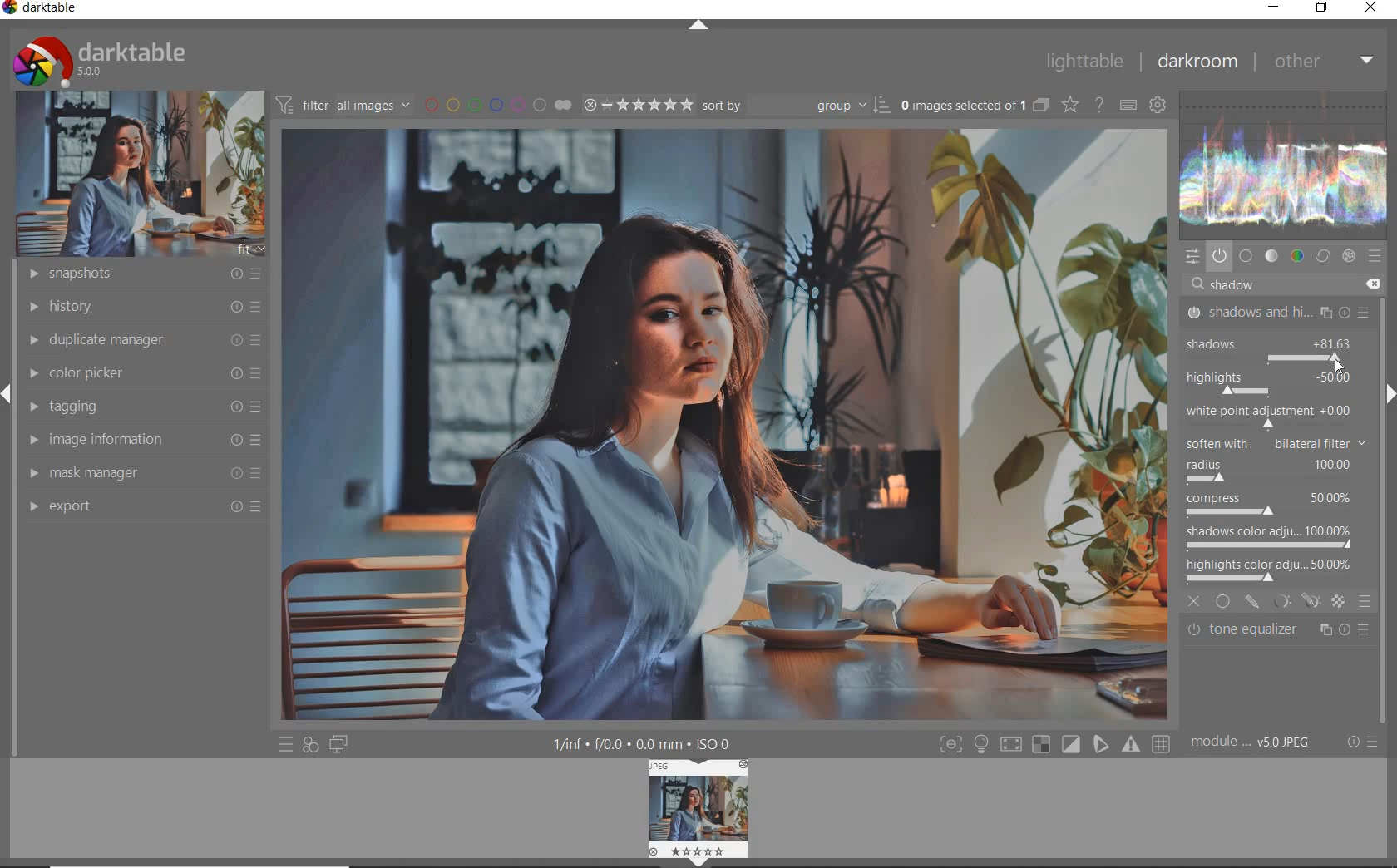 The image size is (1397, 868). Describe the element at coordinates (1288, 165) in the screenshot. I see `waveform` at that location.